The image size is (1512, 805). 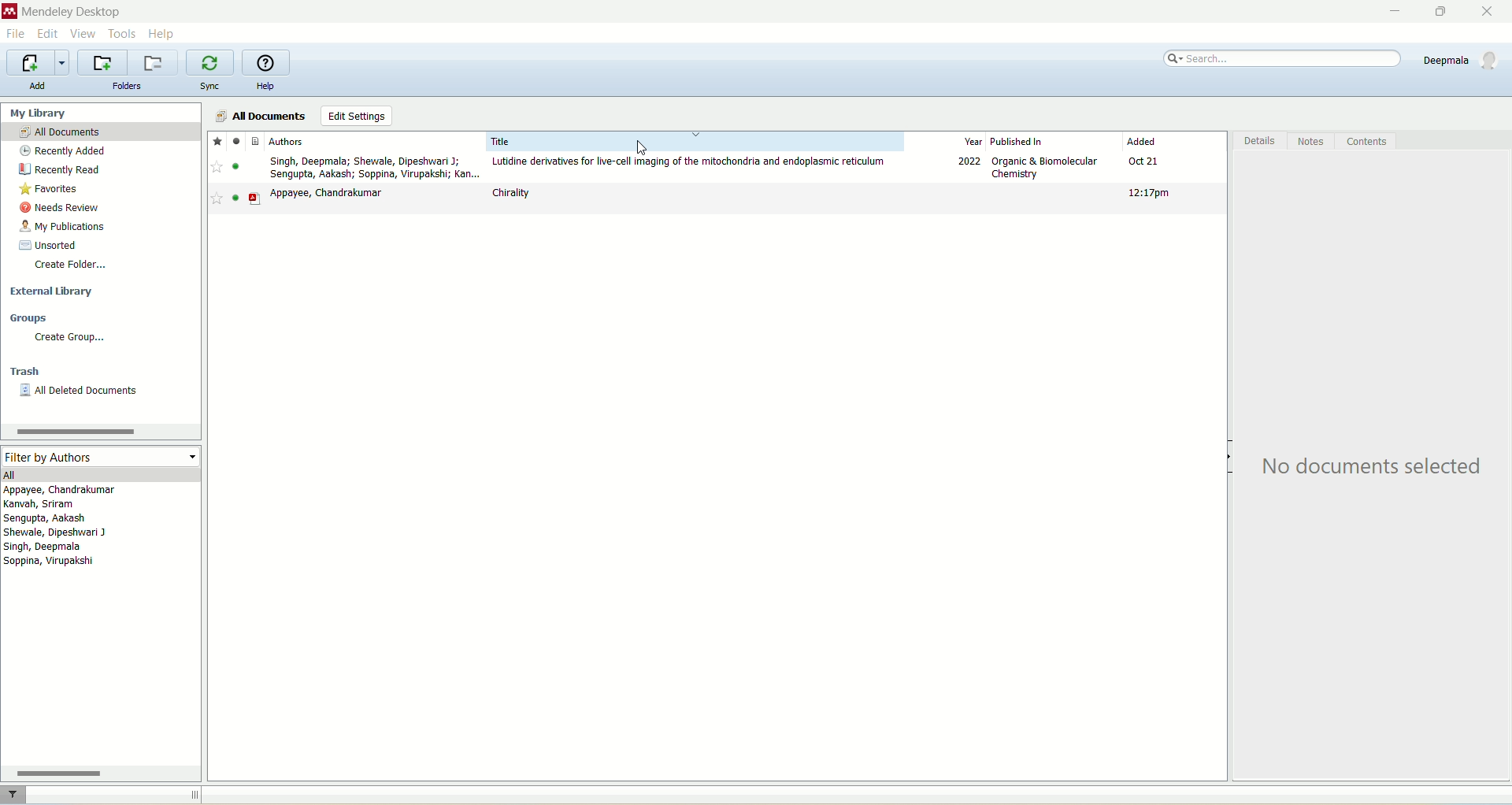 I want to click on document2, so click(x=717, y=202).